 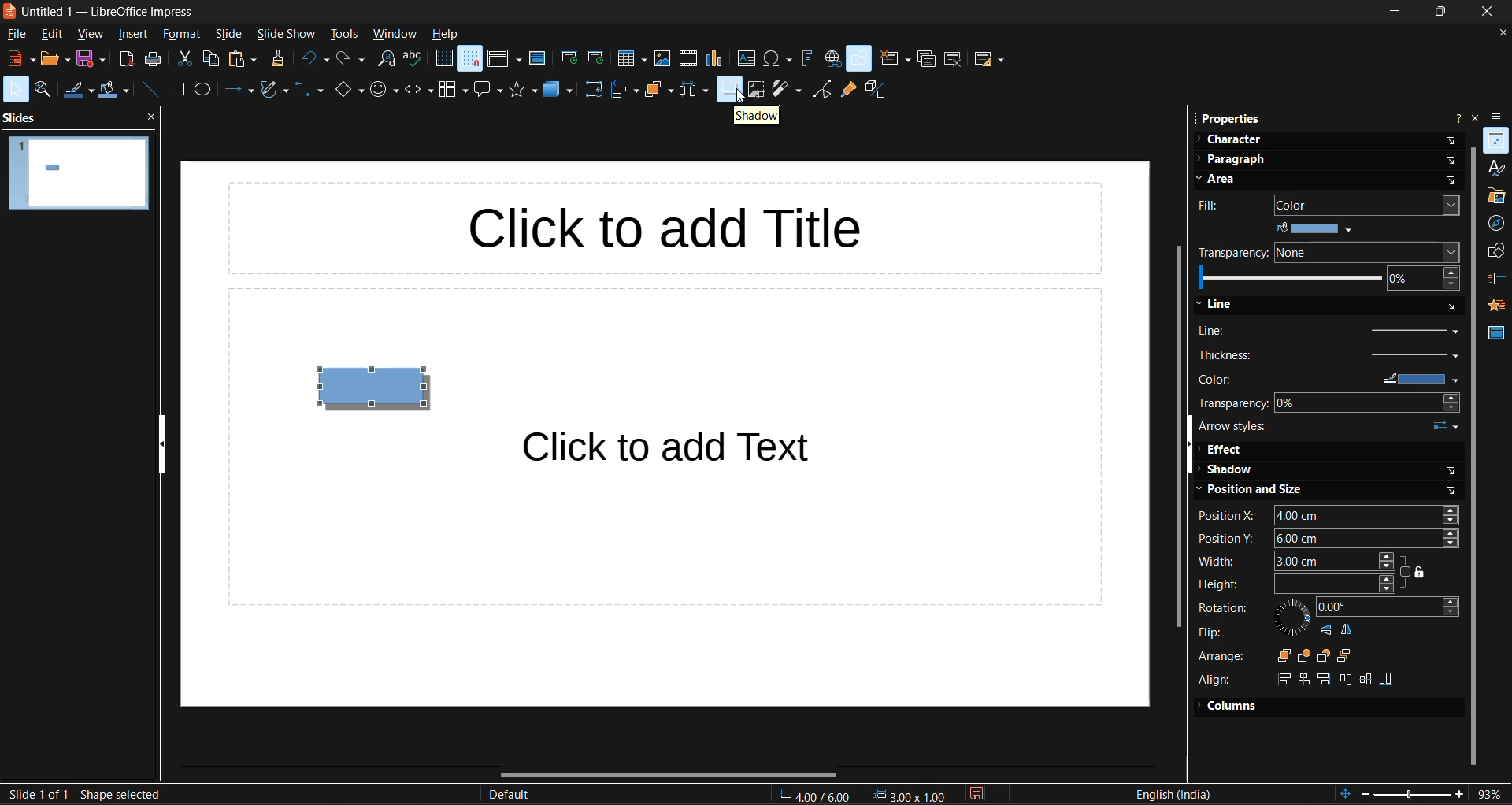 What do you see at coordinates (1454, 118) in the screenshot?
I see `help about sidebar` at bounding box center [1454, 118].